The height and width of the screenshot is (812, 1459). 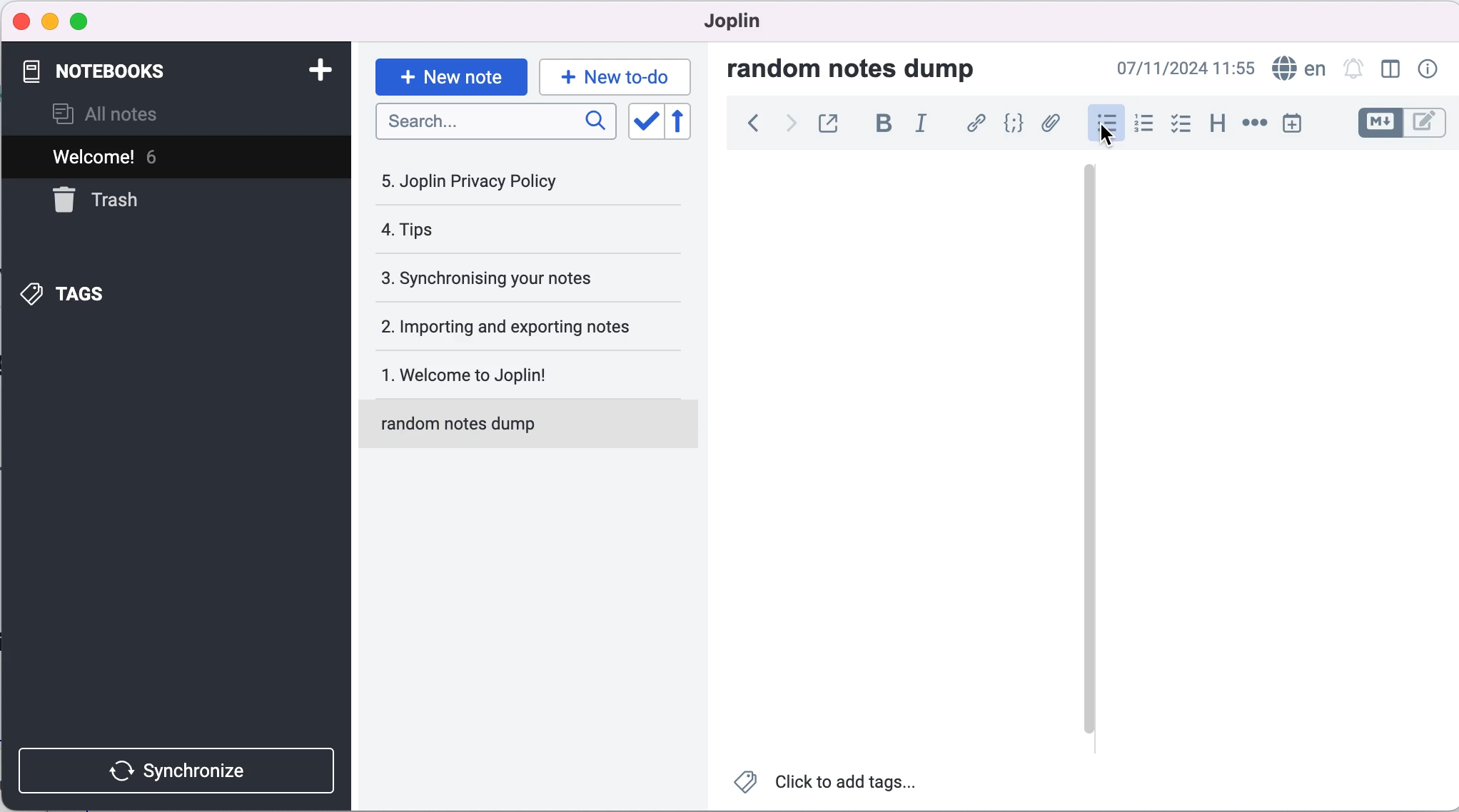 What do you see at coordinates (512, 279) in the screenshot?
I see `synchronising your notes` at bounding box center [512, 279].